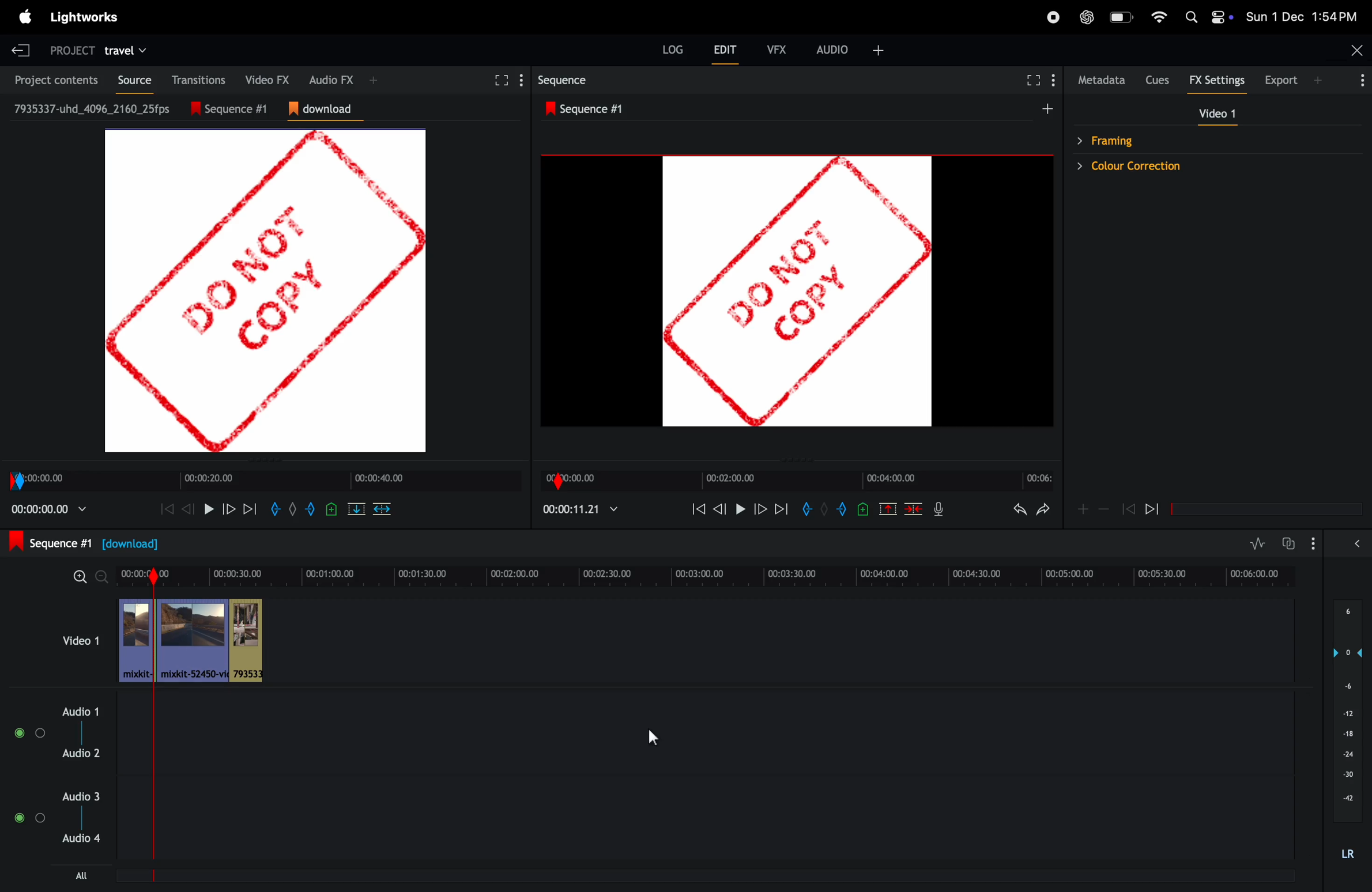 This screenshot has width=1372, height=892. What do you see at coordinates (195, 80) in the screenshot?
I see `transitions` at bounding box center [195, 80].